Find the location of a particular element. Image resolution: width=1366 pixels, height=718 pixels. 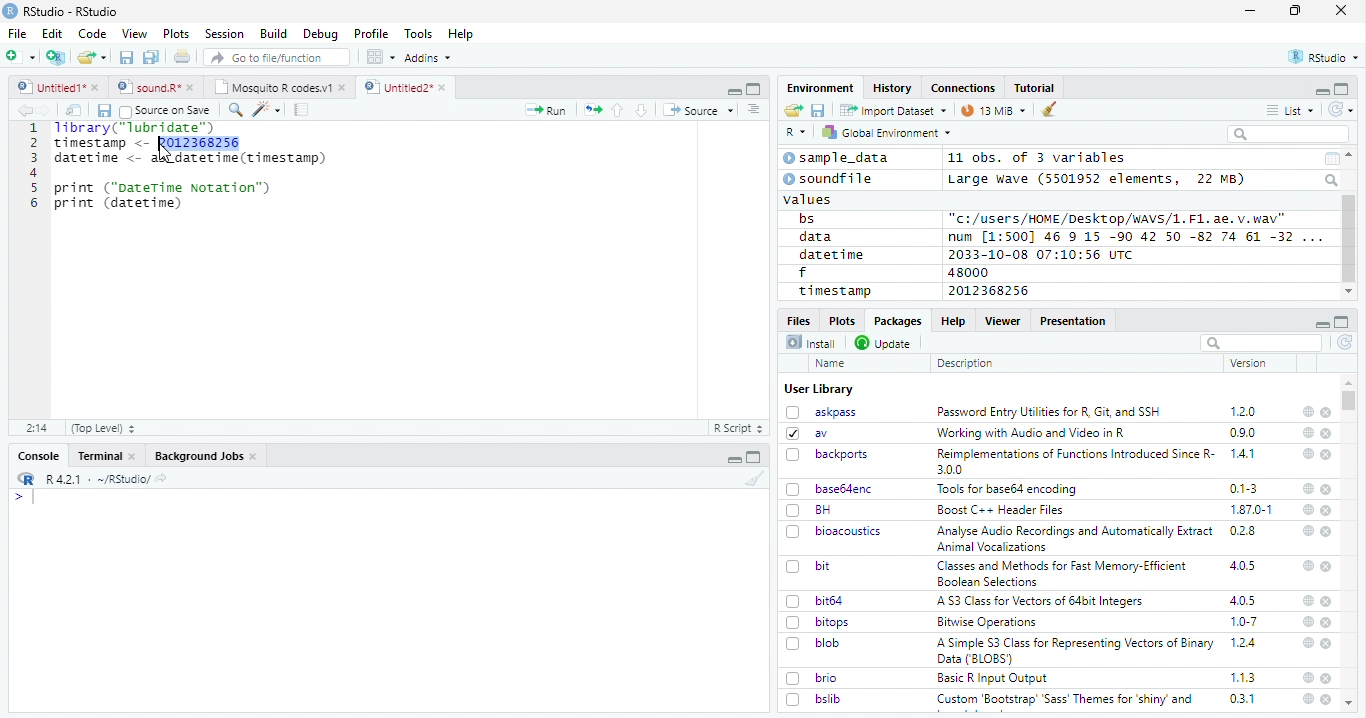

go backward is located at coordinates (25, 109).